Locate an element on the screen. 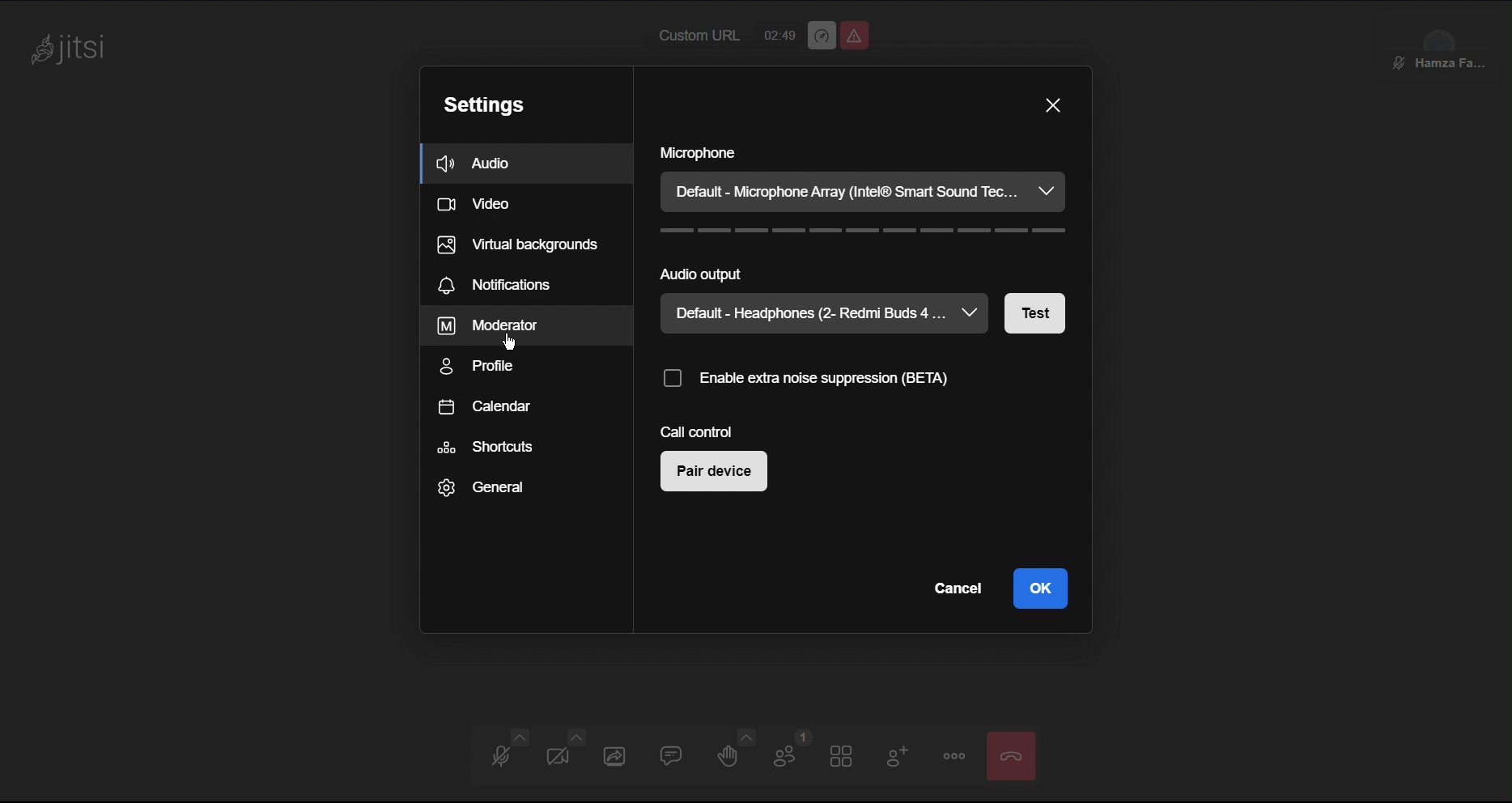 This screenshot has width=1512, height=803. Raise Hand is located at coordinates (736, 755).